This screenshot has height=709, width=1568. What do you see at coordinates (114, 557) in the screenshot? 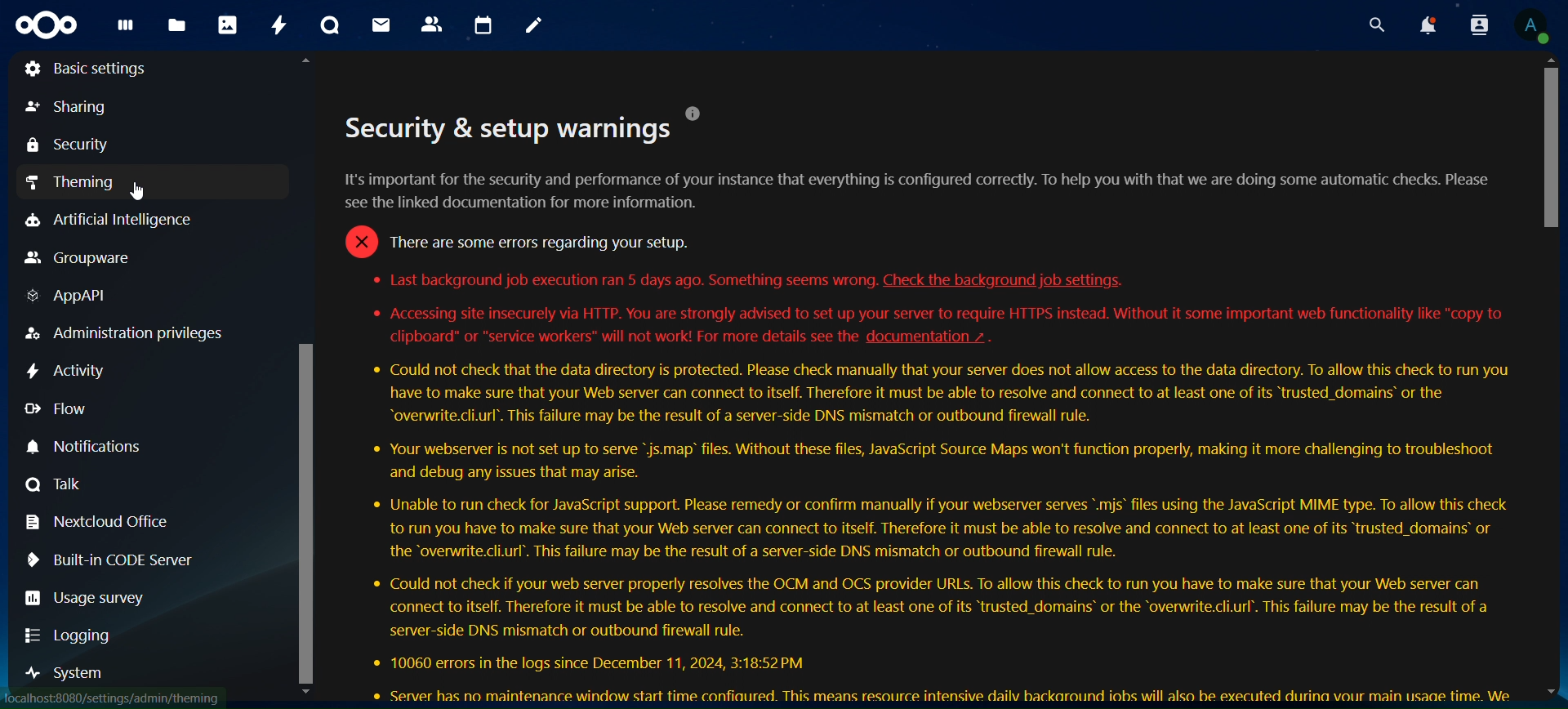
I see `built in code server` at bounding box center [114, 557].